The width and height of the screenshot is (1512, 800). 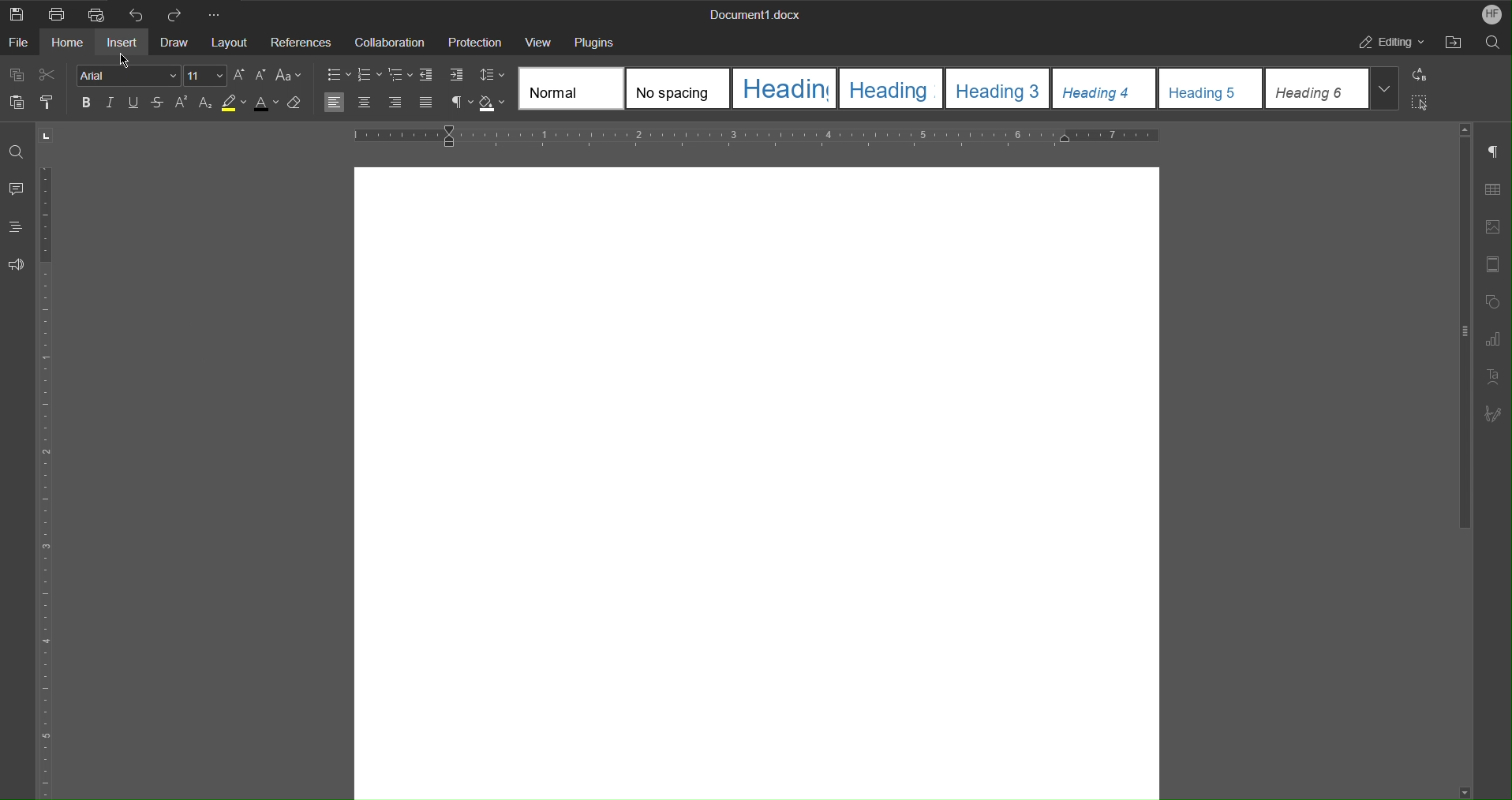 I want to click on Home, so click(x=69, y=43).